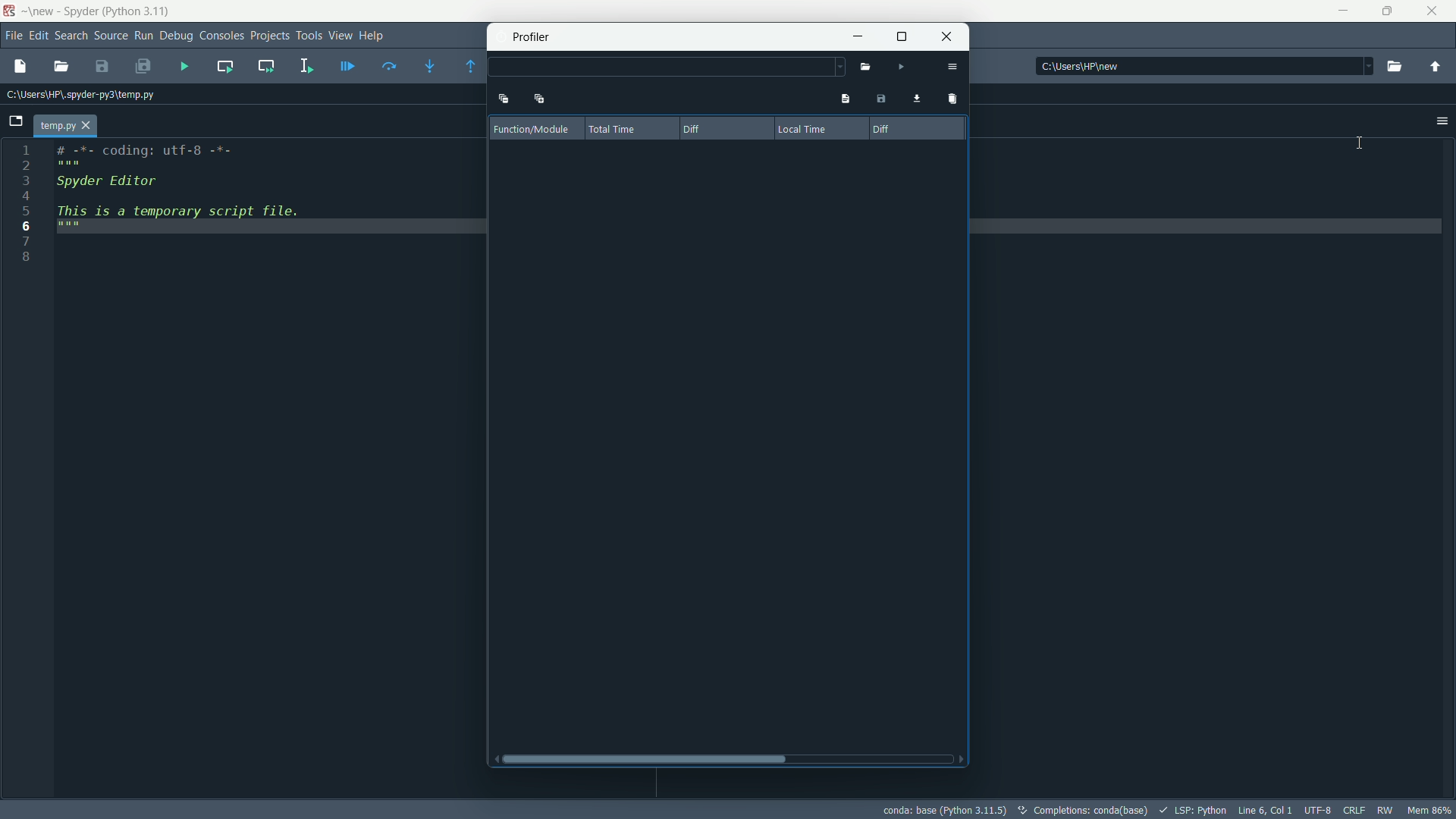  I want to click on completions: conda (base), so click(1082, 808).